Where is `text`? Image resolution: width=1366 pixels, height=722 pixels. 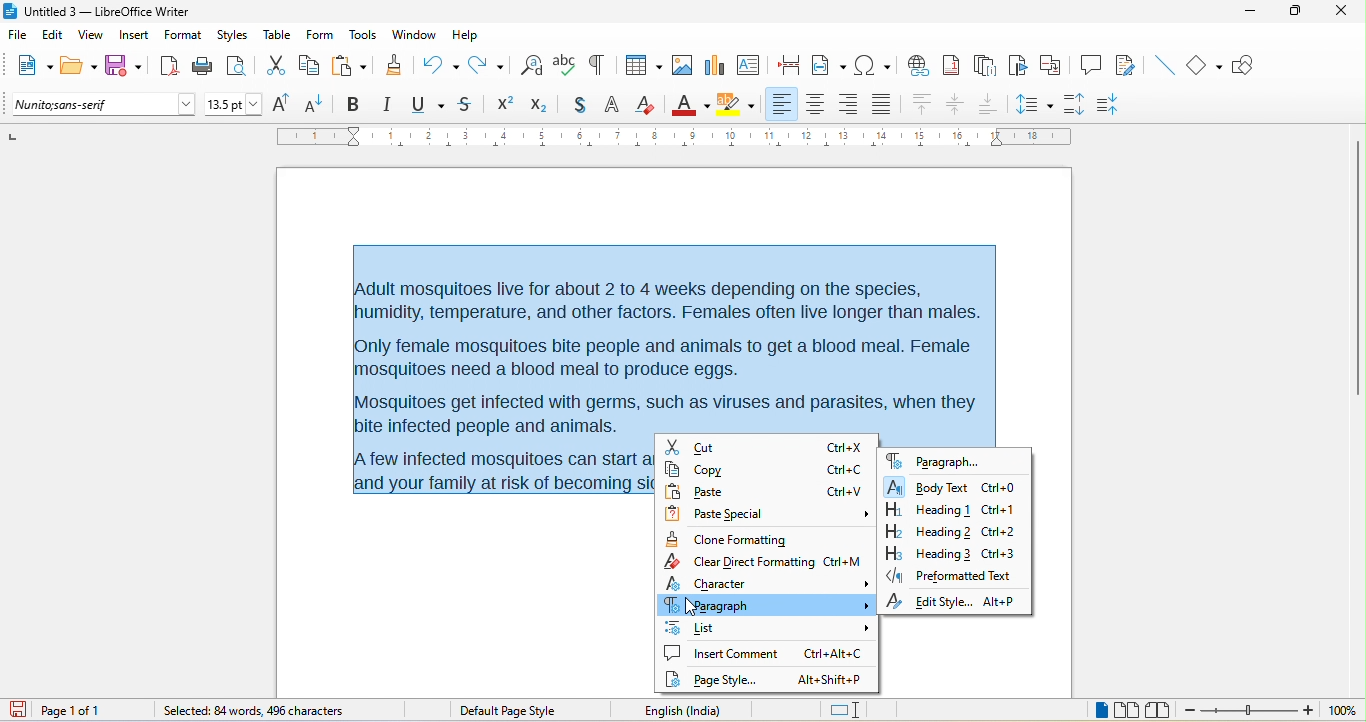 text is located at coordinates (681, 340).